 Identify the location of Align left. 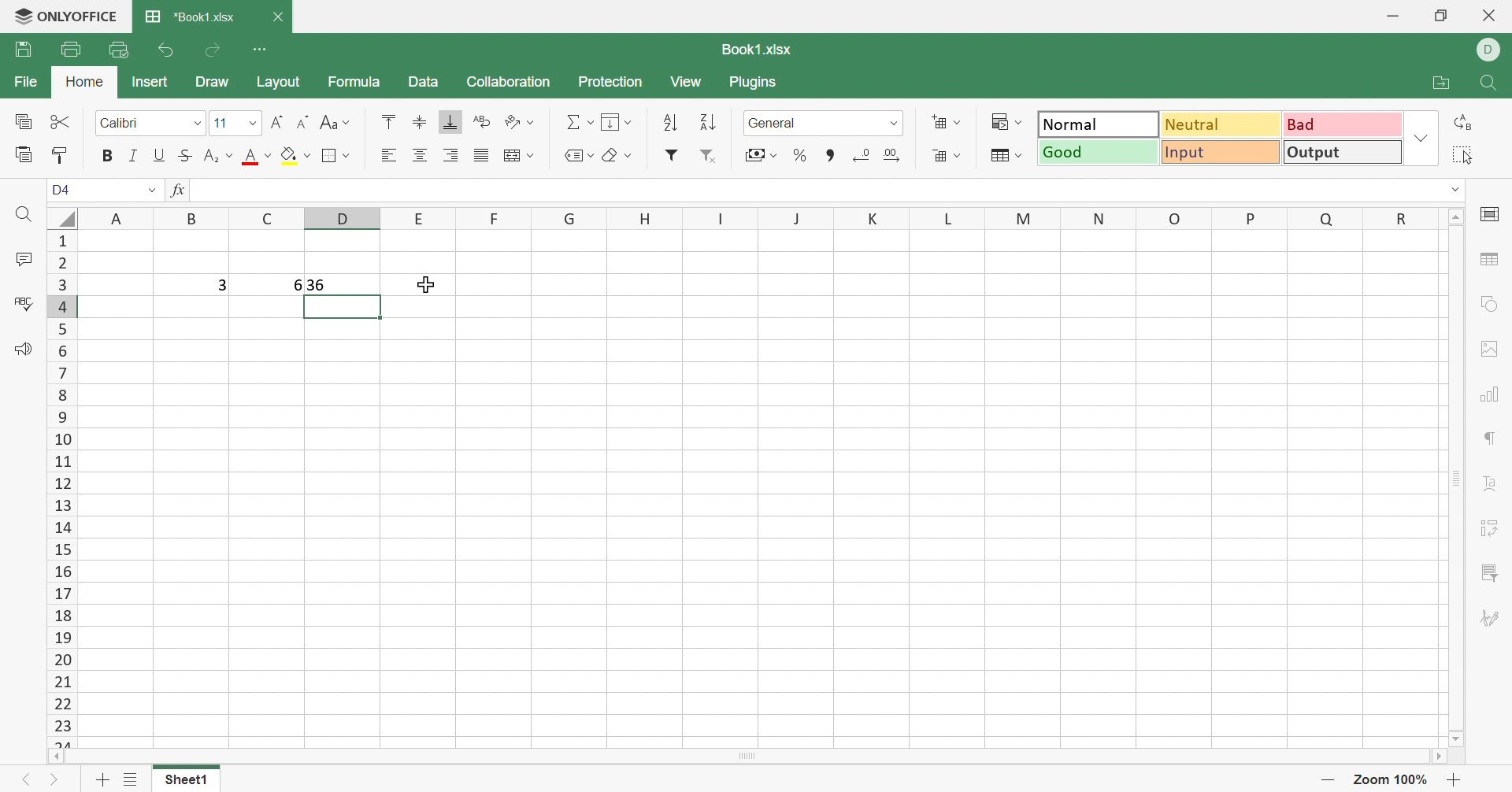
(391, 156).